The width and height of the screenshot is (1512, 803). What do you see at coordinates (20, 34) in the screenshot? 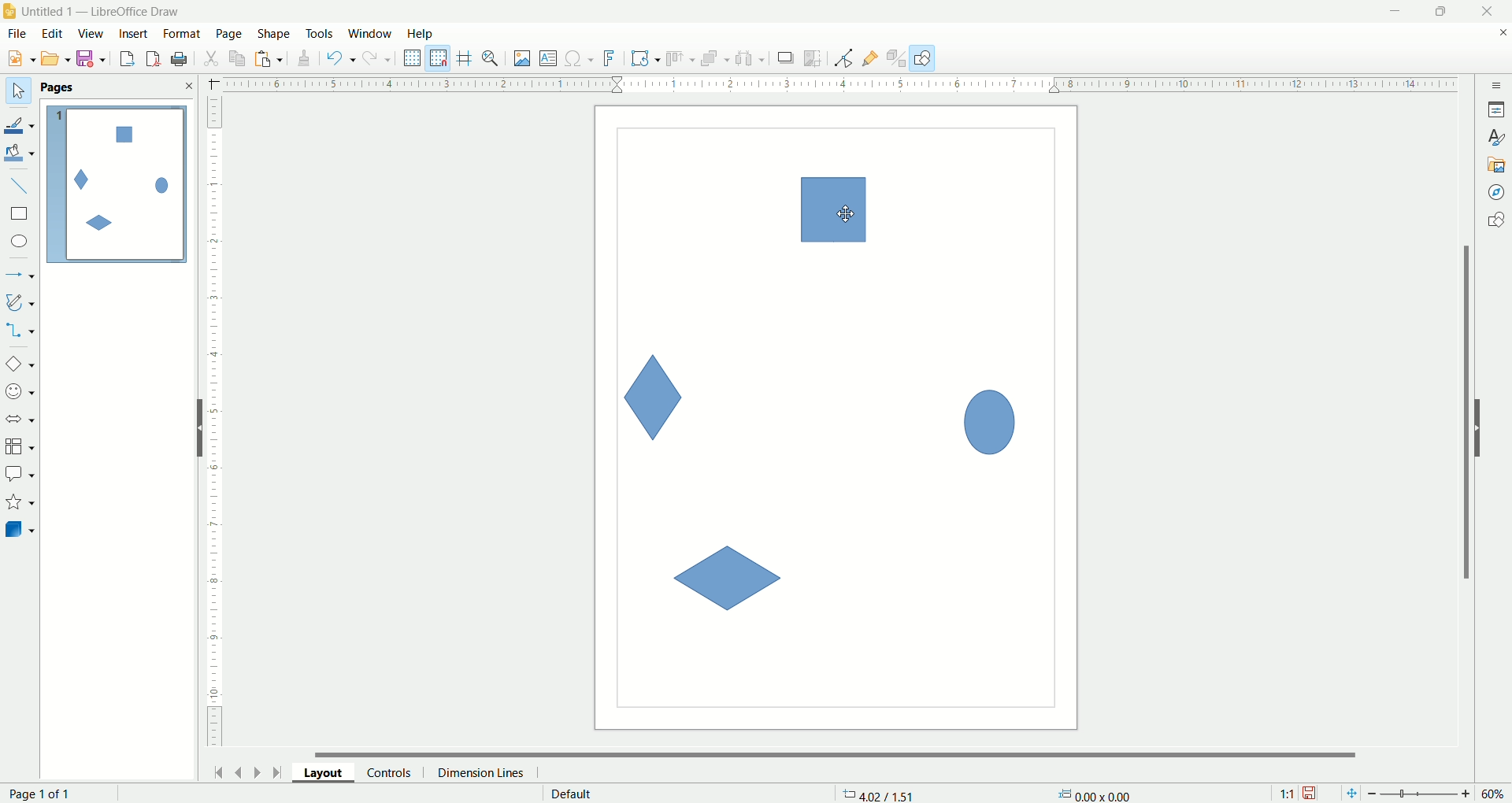
I see `file` at bounding box center [20, 34].